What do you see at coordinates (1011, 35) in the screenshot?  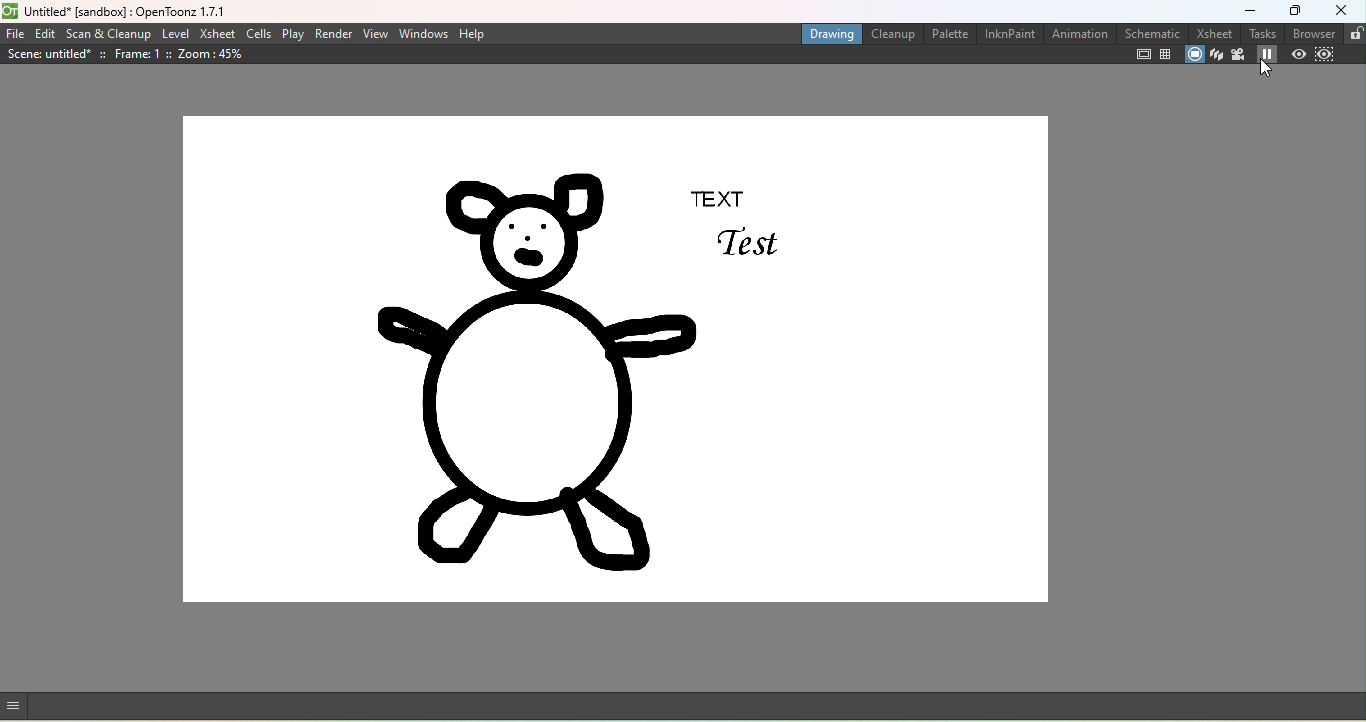 I see `InknPaint` at bounding box center [1011, 35].